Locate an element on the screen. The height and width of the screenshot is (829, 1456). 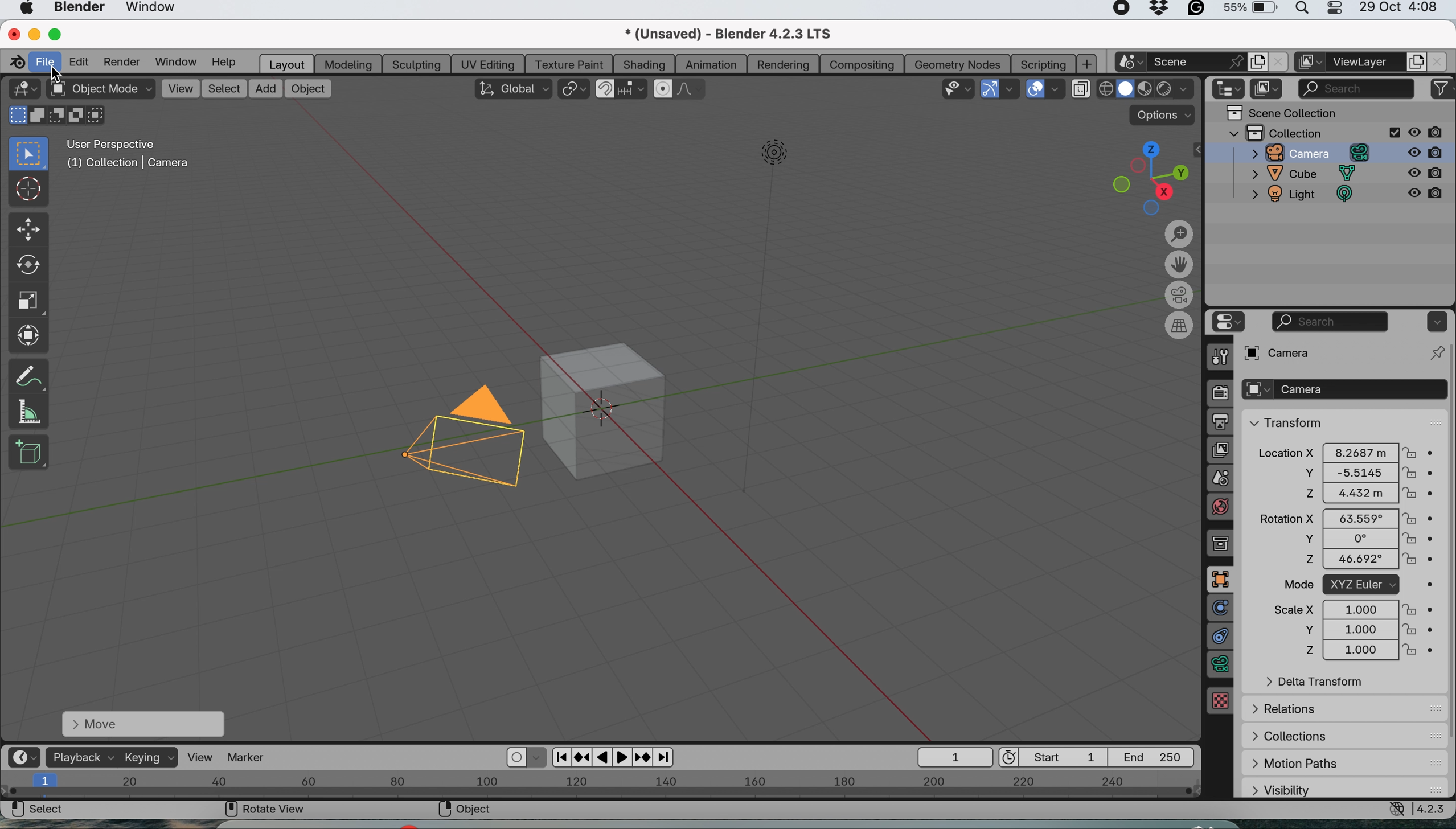
preset views is located at coordinates (1143, 178).